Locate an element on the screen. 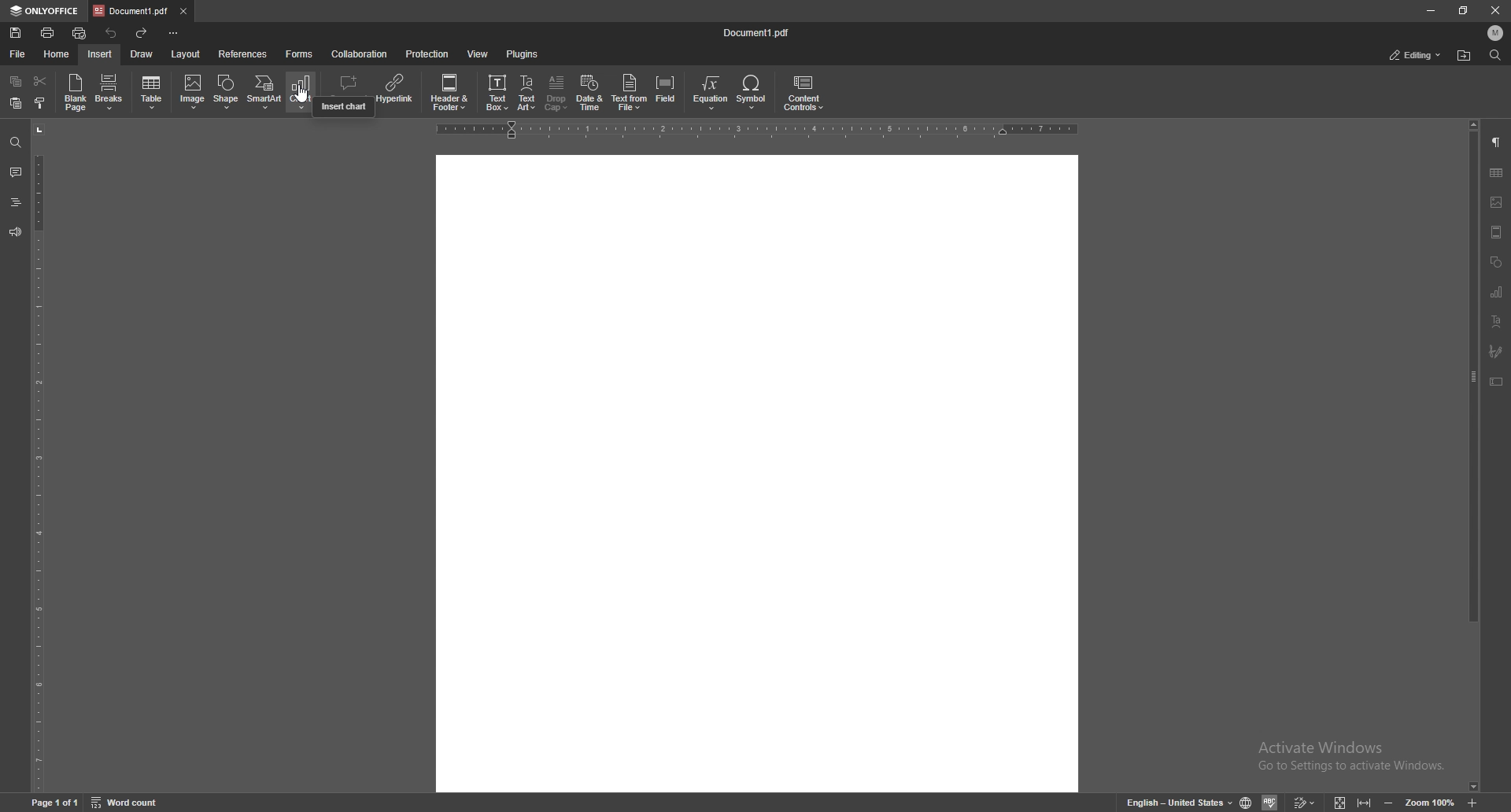 The width and height of the screenshot is (1511, 812). minimize is located at coordinates (1431, 9).